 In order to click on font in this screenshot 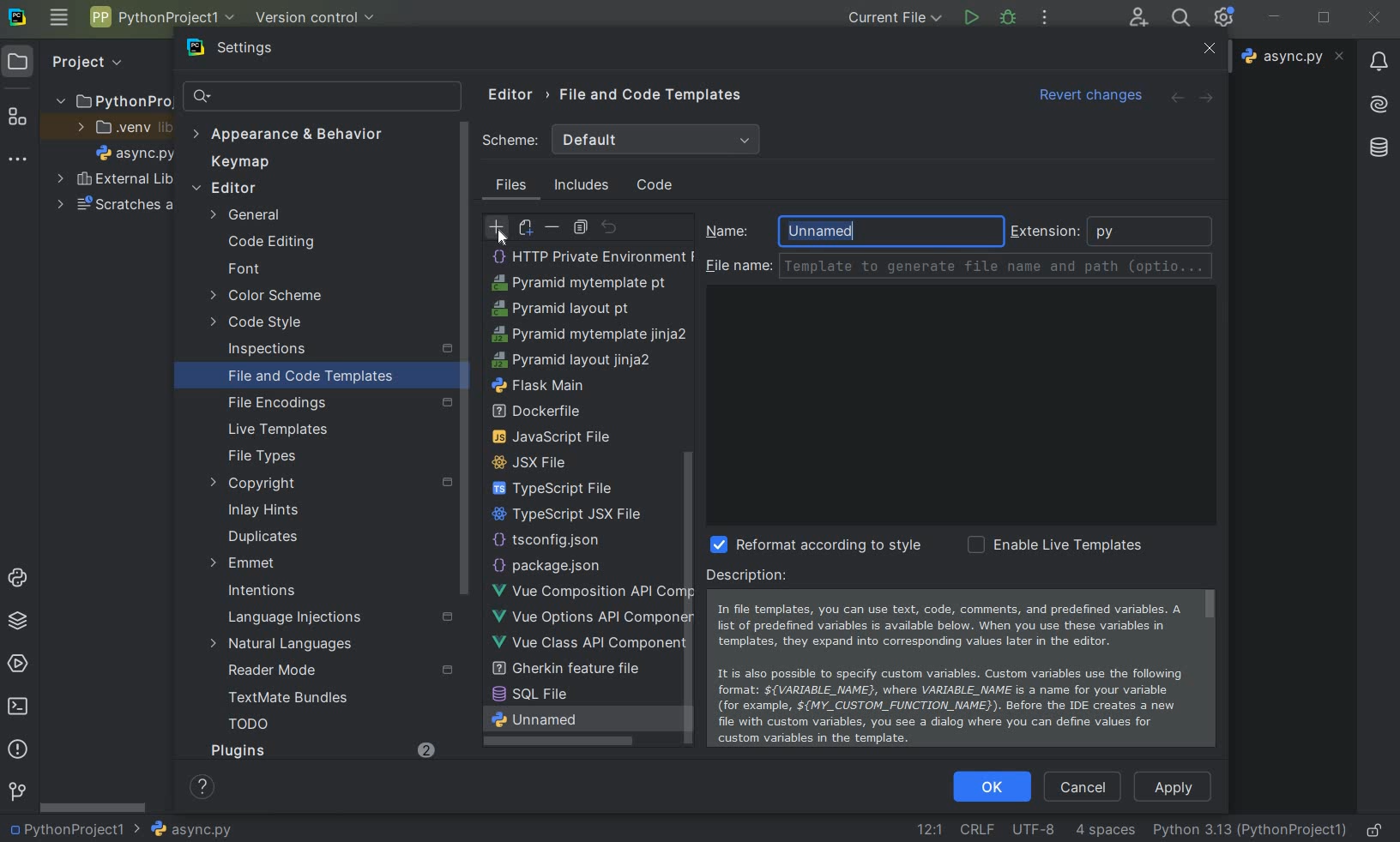, I will do `click(244, 270)`.